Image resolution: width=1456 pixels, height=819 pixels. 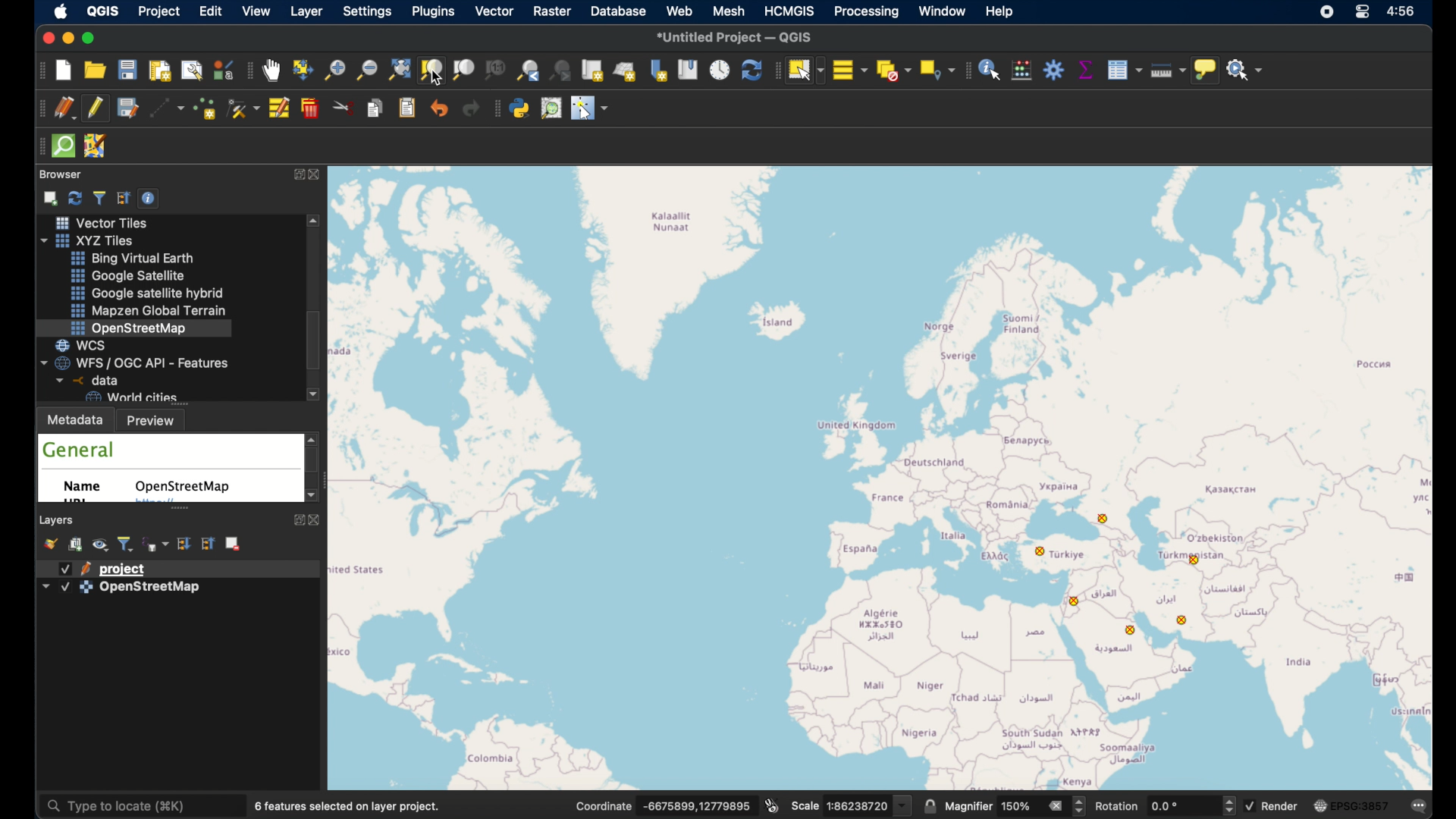 I want to click on general, so click(x=80, y=450).